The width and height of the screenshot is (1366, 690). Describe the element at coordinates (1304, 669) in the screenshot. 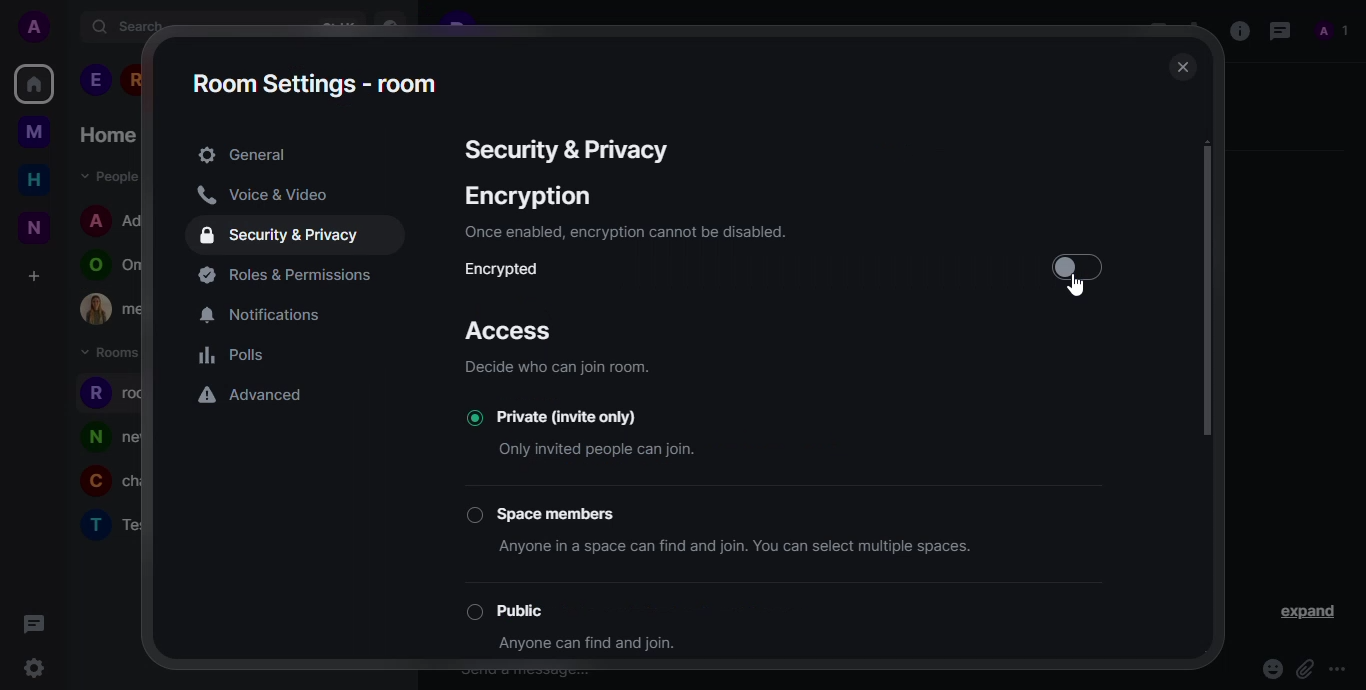

I see `attach` at that location.